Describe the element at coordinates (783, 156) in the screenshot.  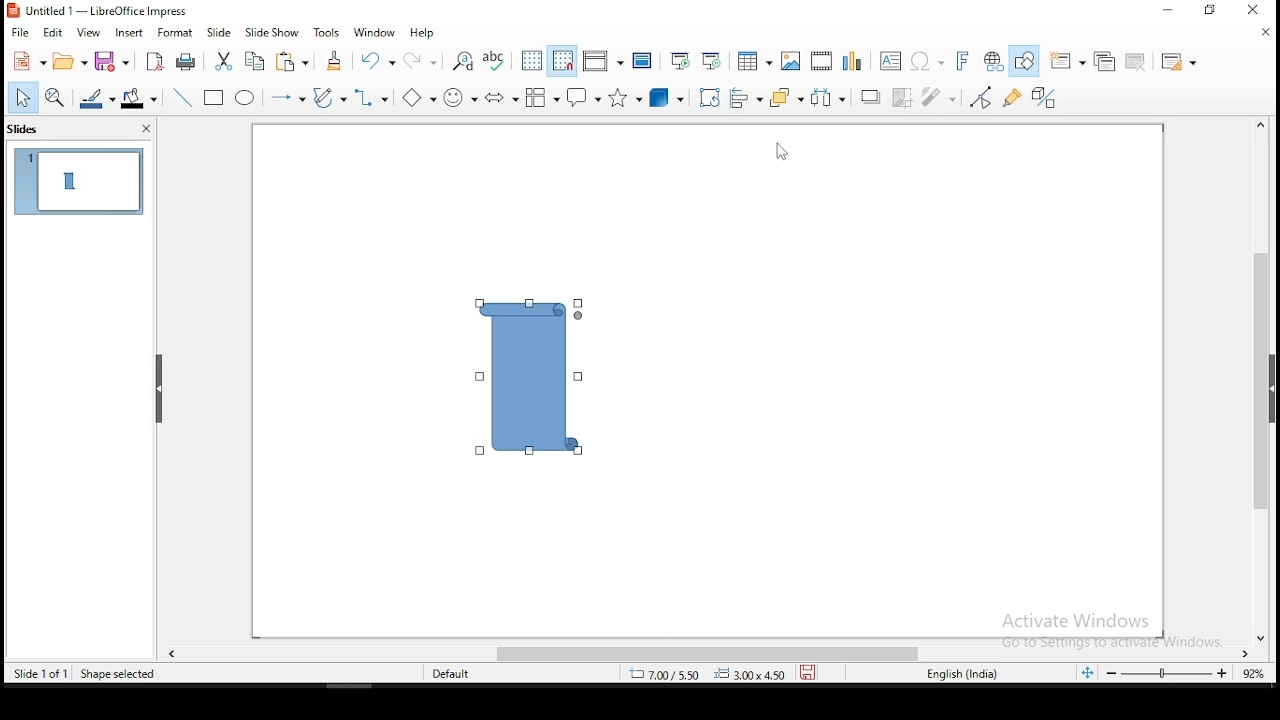
I see `mouse pointer` at that location.